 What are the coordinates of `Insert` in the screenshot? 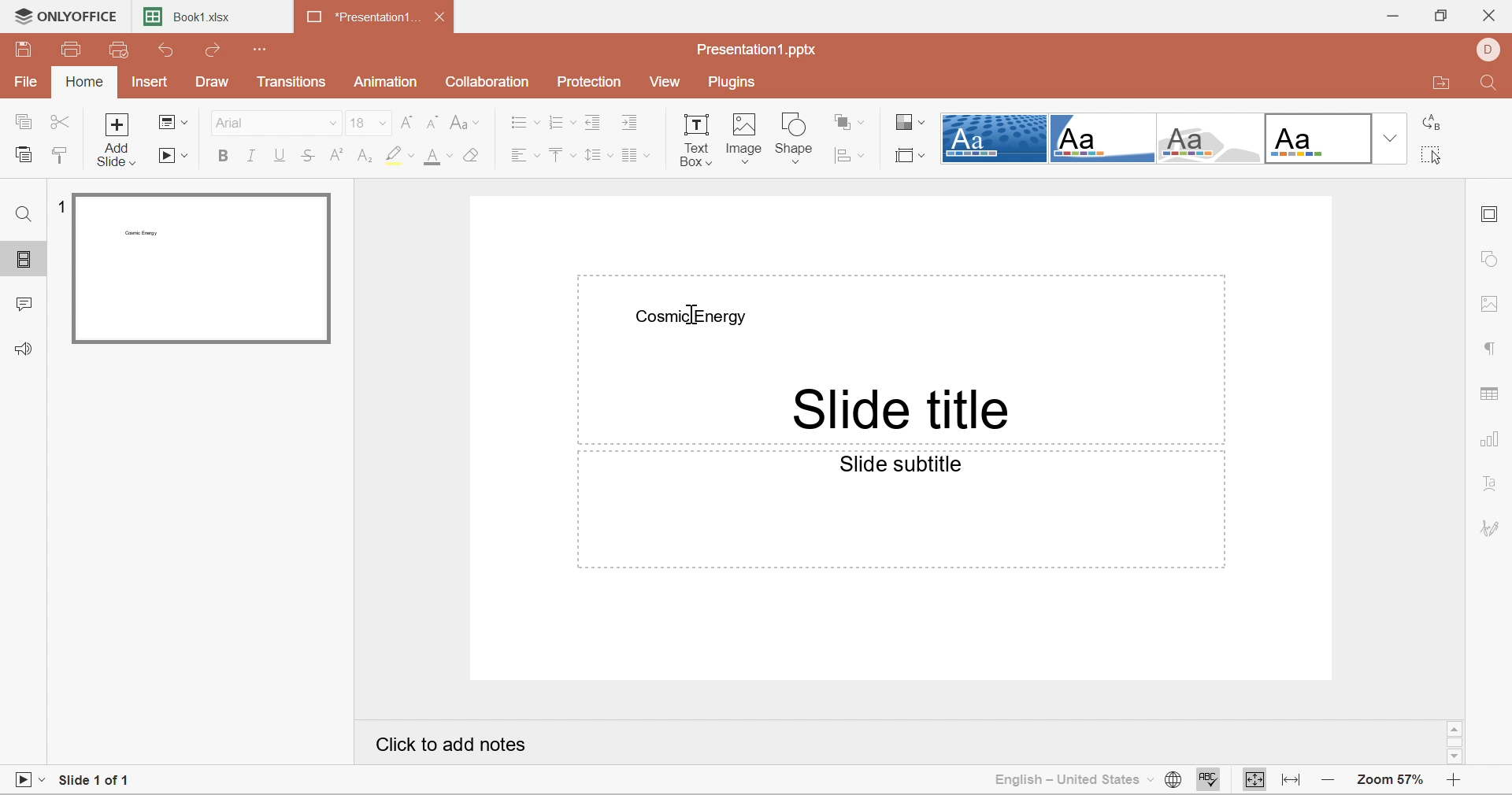 It's located at (148, 84).